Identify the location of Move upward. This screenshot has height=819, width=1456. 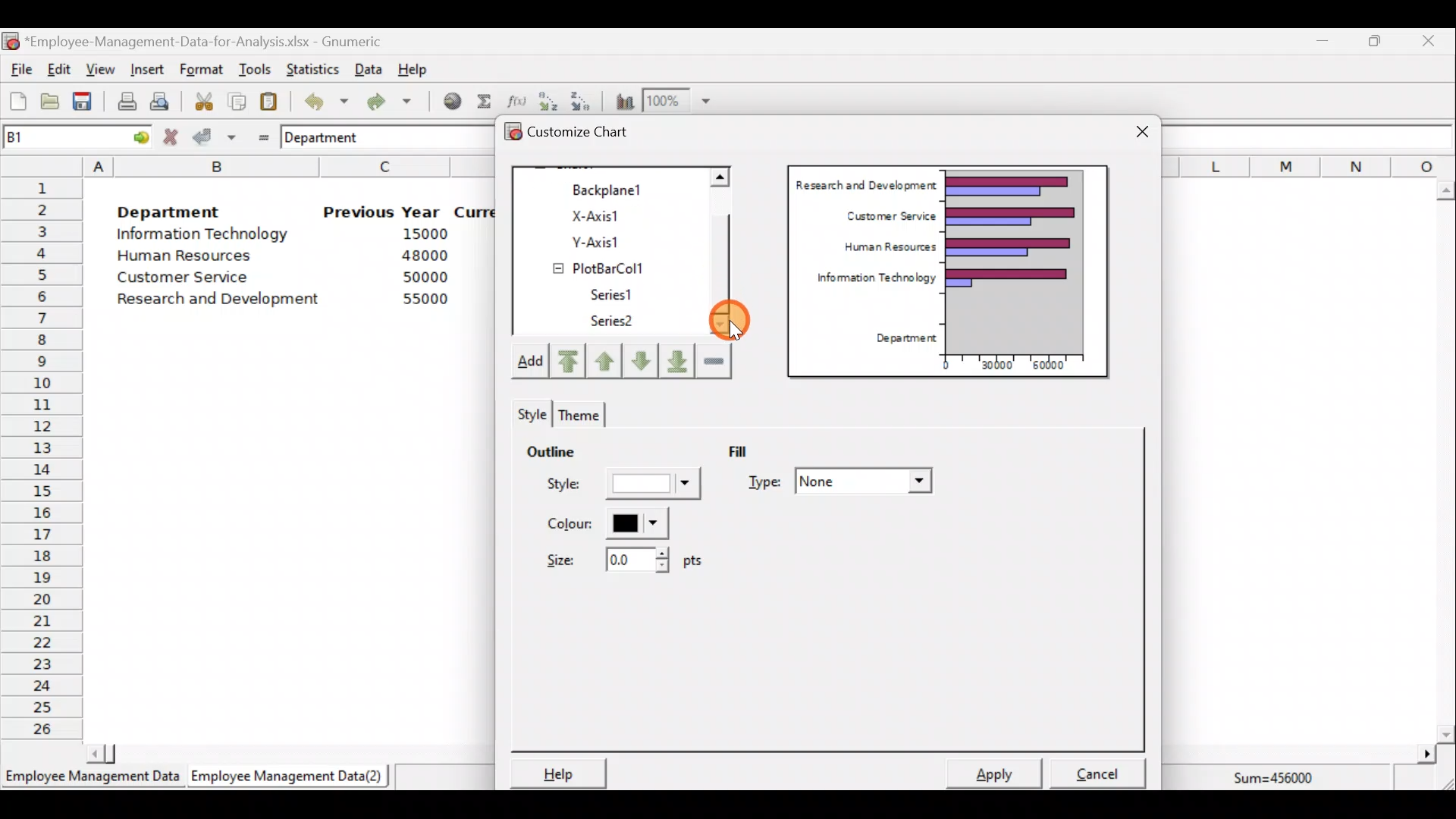
(566, 362).